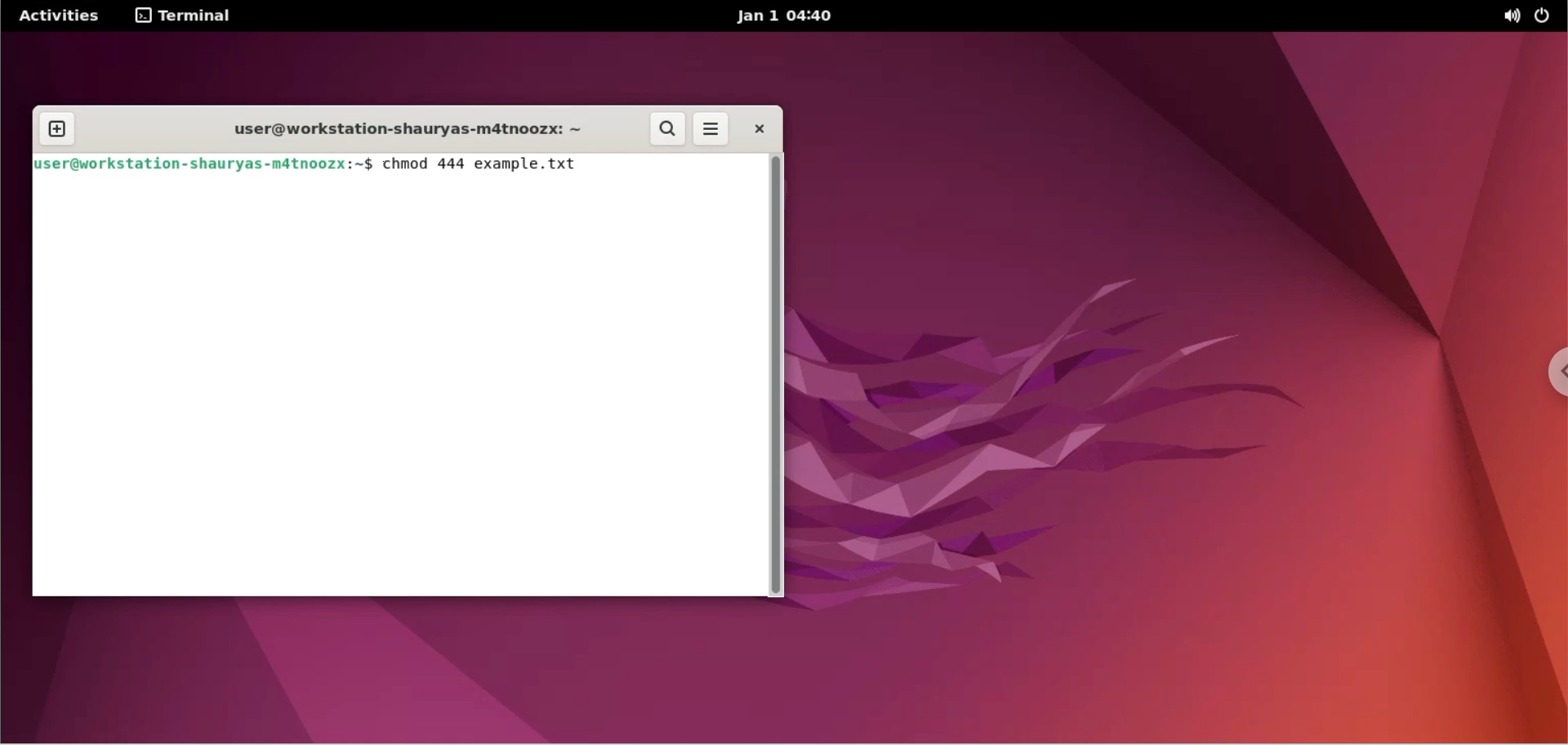  What do you see at coordinates (791, 16) in the screenshot?
I see `Jan 1 04:40` at bounding box center [791, 16].